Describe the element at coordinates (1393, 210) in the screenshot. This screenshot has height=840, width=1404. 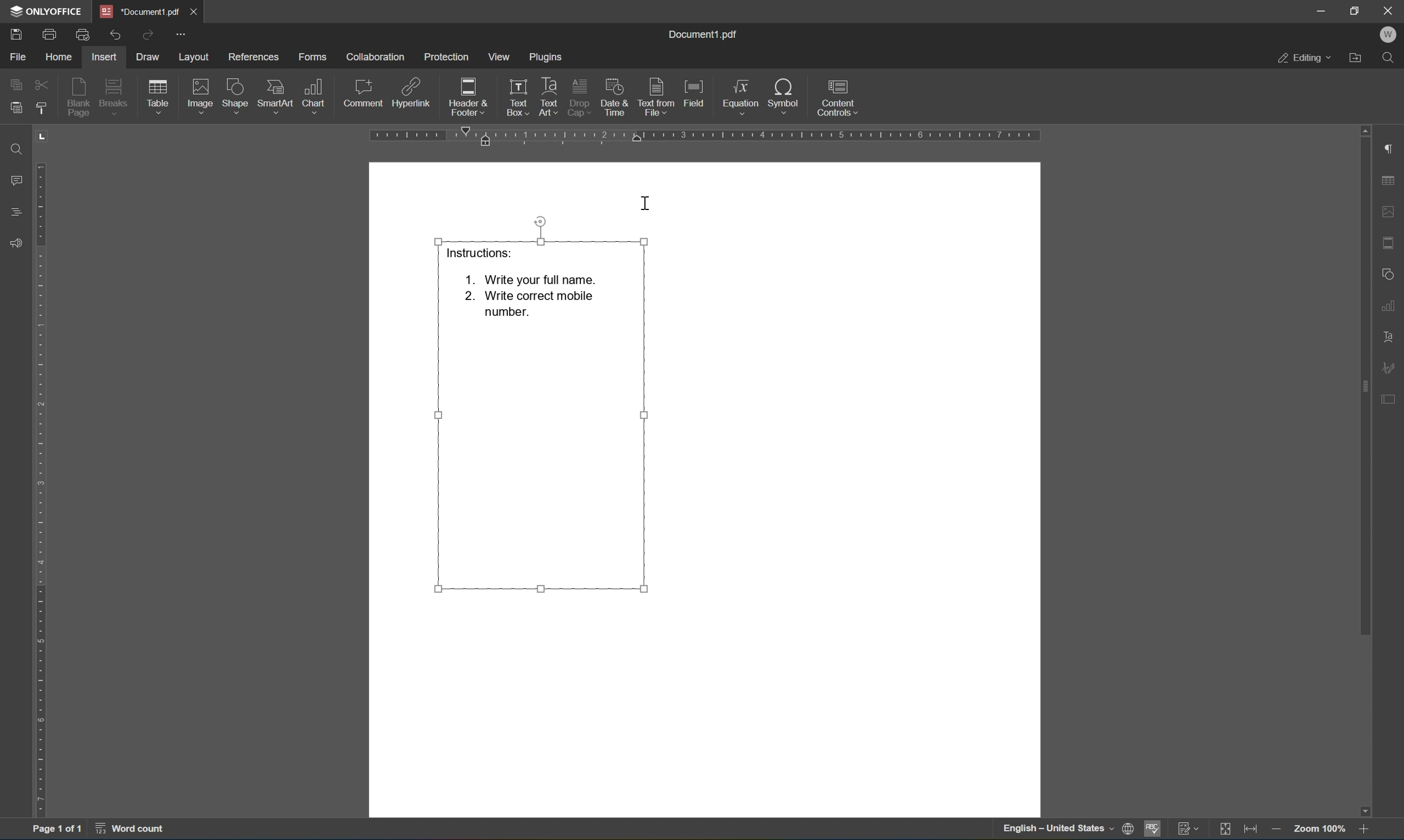
I see `Image settings` at that location.